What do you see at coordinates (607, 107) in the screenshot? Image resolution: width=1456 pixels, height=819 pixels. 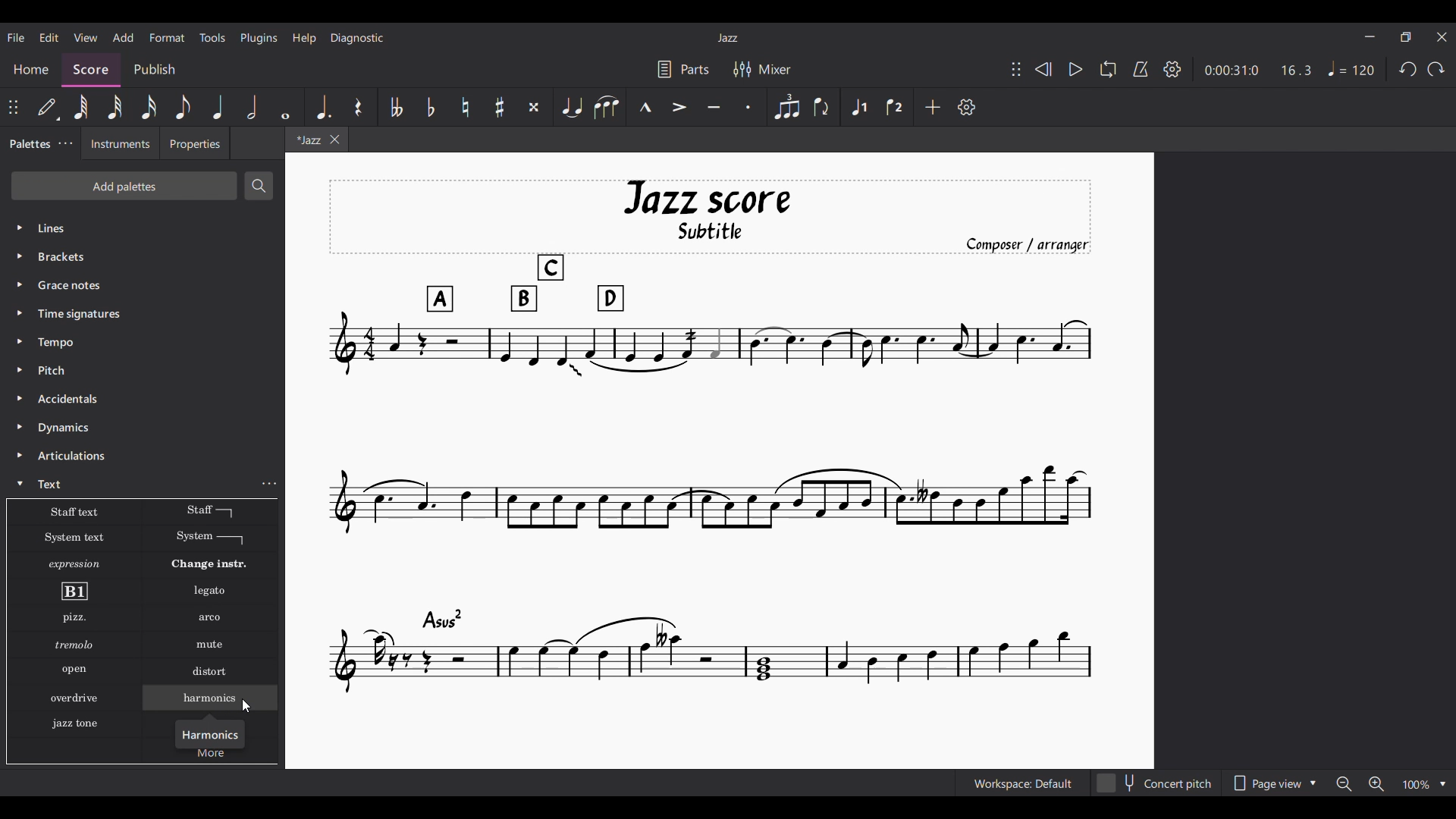 I see `Slur` at bounding box center [607, 107].